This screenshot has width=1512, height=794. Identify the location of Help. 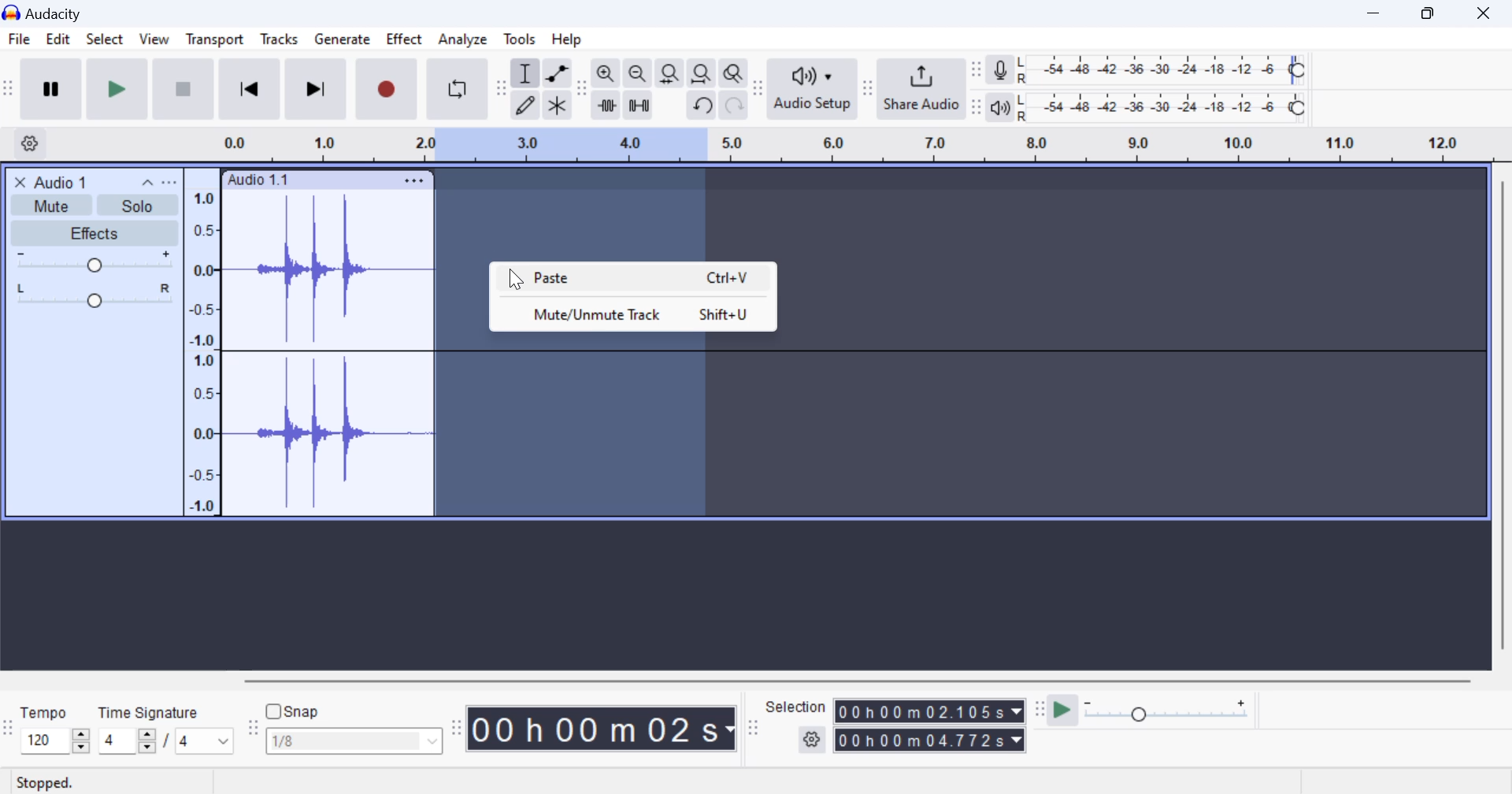
(570, 39).